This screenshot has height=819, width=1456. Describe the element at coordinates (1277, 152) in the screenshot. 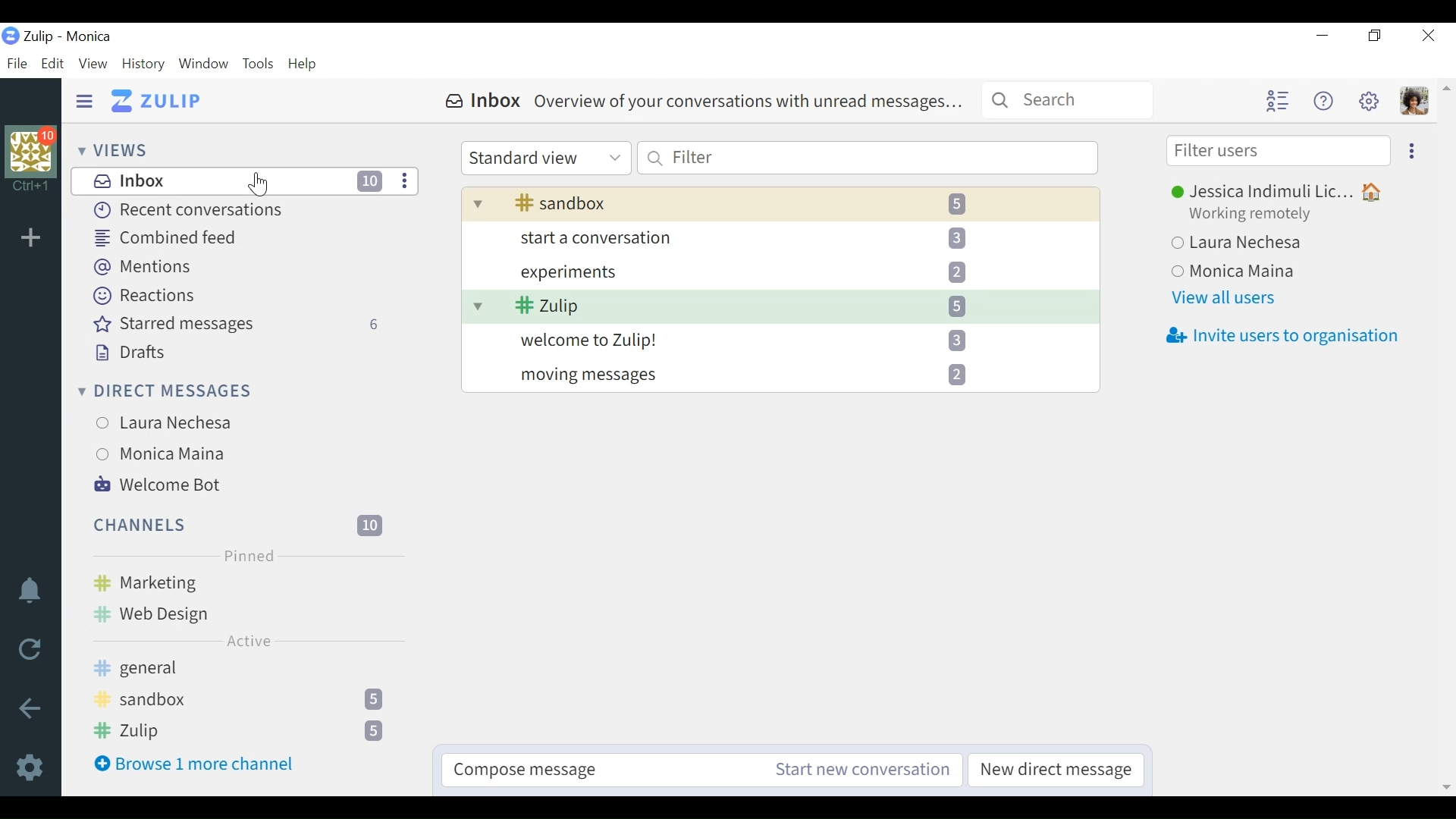

I see `Filter users` at that location.